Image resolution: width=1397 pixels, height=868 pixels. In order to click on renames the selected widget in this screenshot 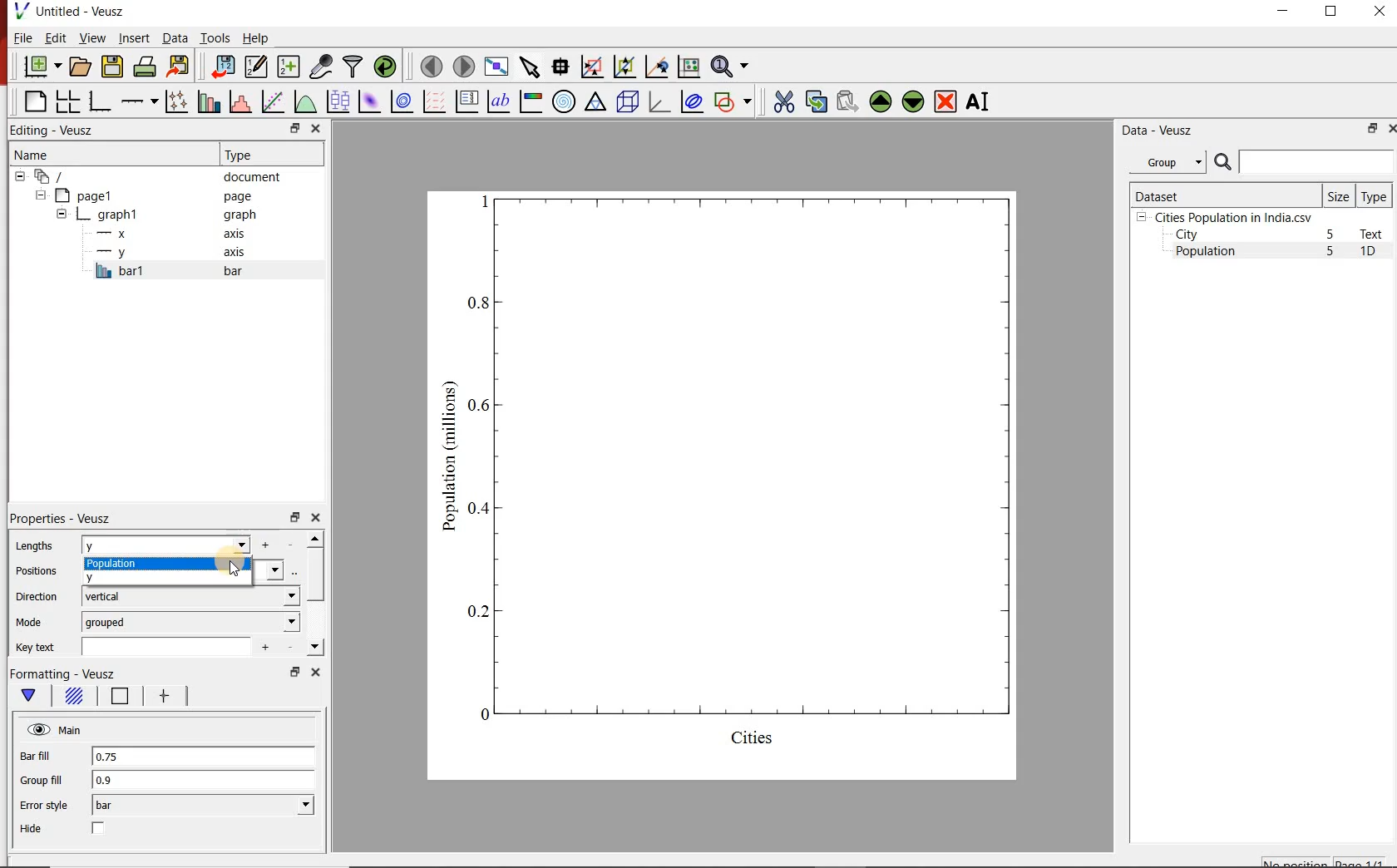, I will do `click(979, 101)`.